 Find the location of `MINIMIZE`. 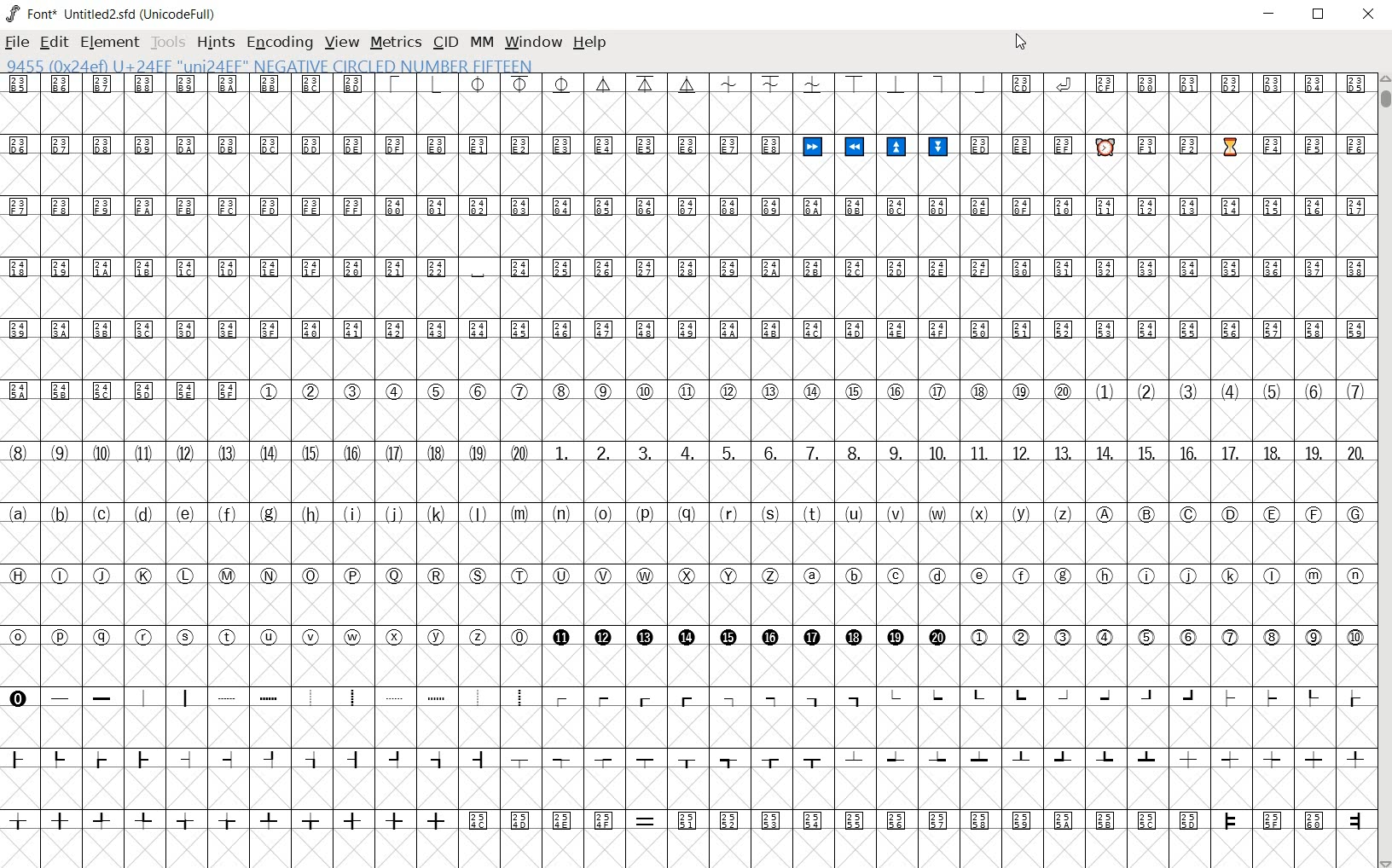

MINIMIZE is located at coordinates (1267, 14).